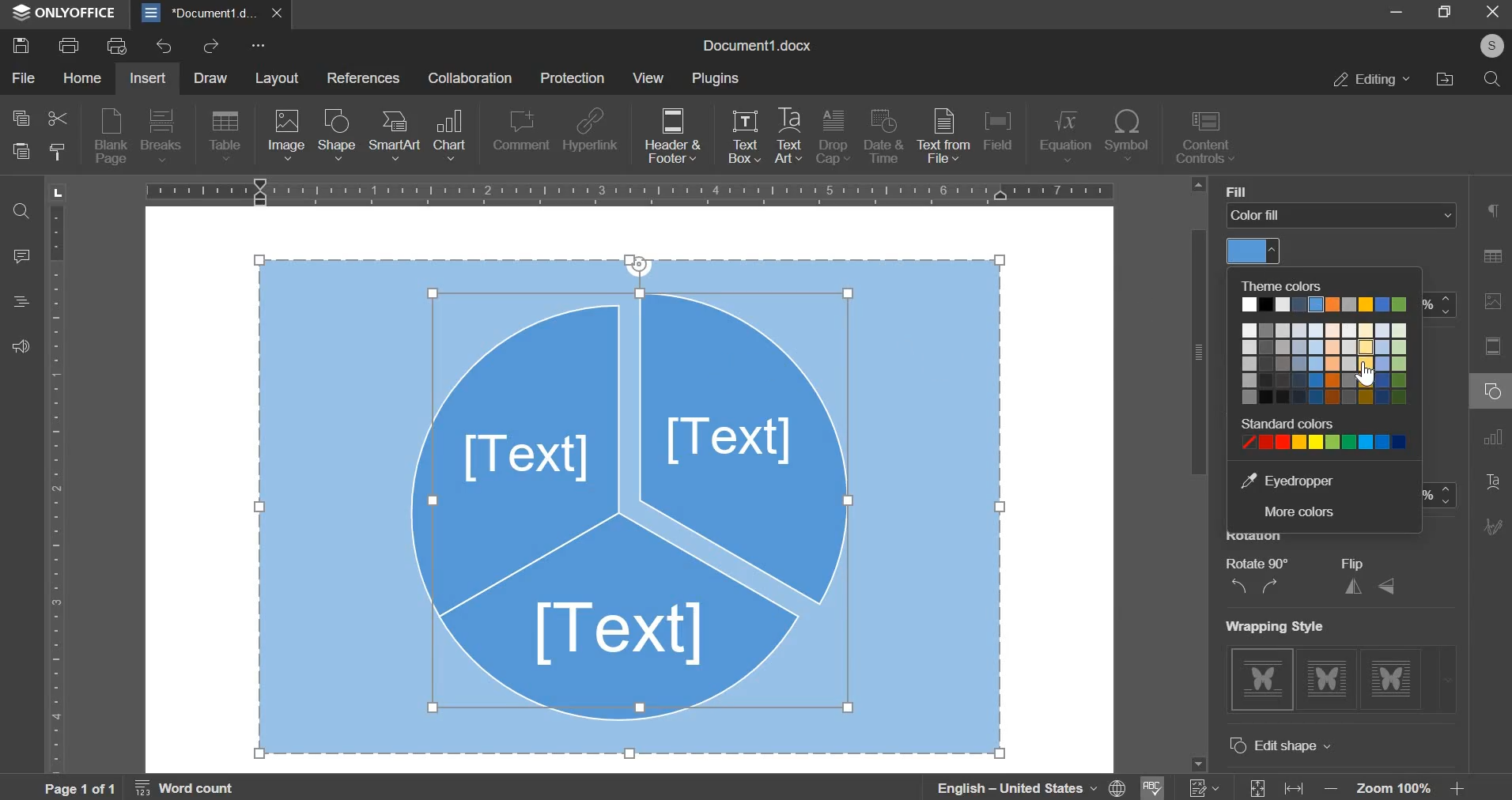 This screenshot has width=1512, height=800. Describe the element at coordinates (141, 788) in the screenshot. I see `page and word count` at that location.